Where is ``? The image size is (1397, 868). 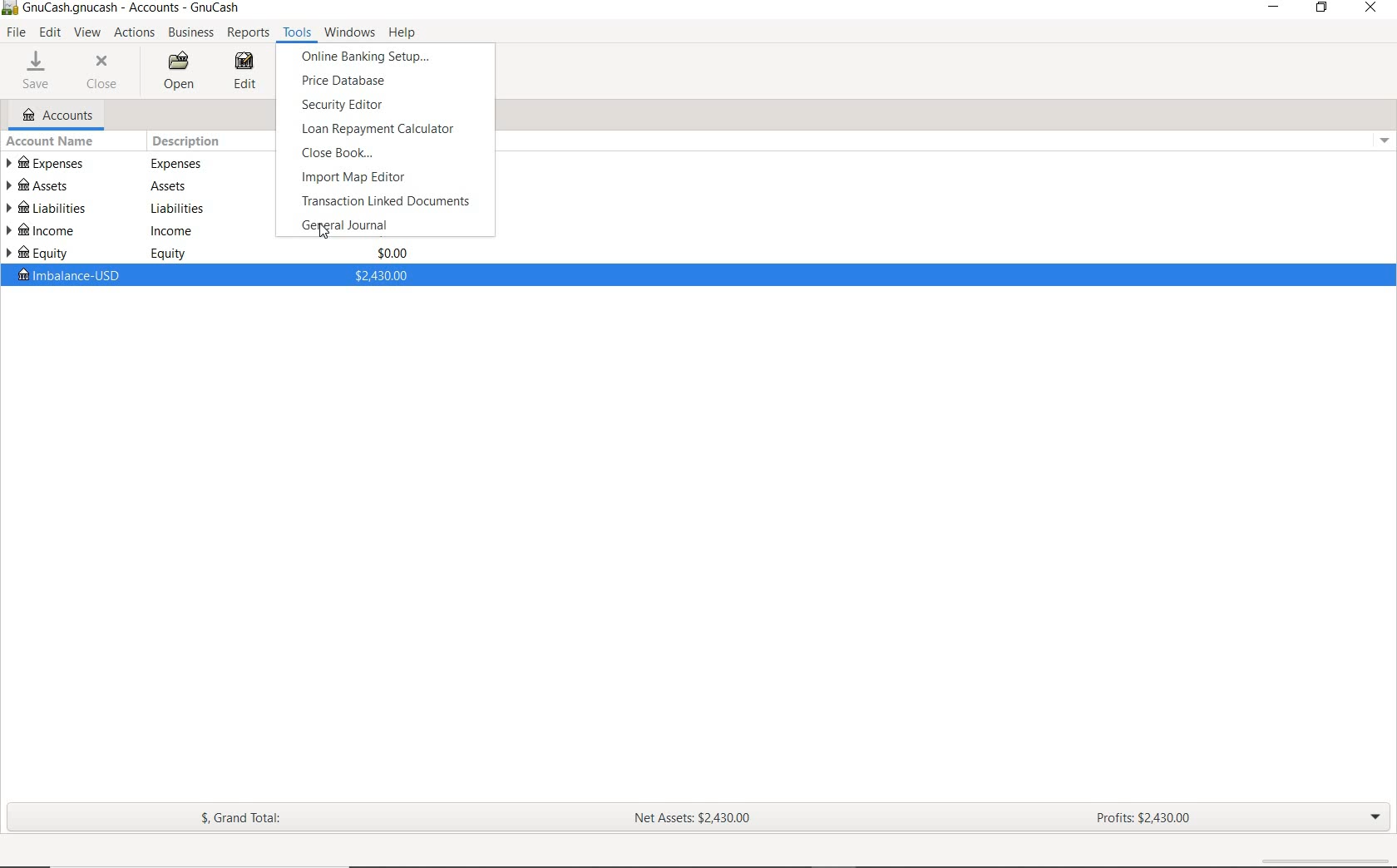  is located at coordinates (176, 164).